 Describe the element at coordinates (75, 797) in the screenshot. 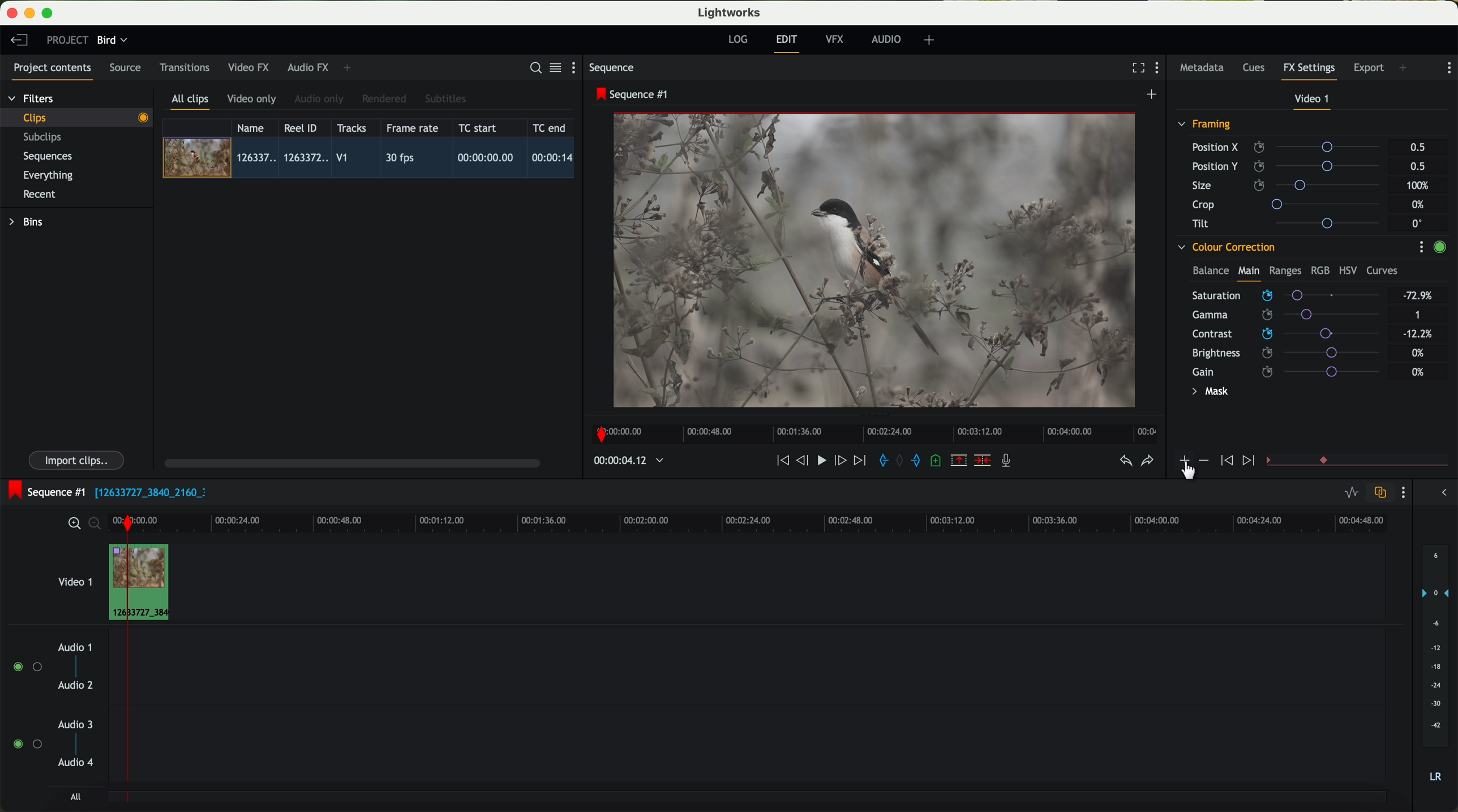

I see `all` at that location.